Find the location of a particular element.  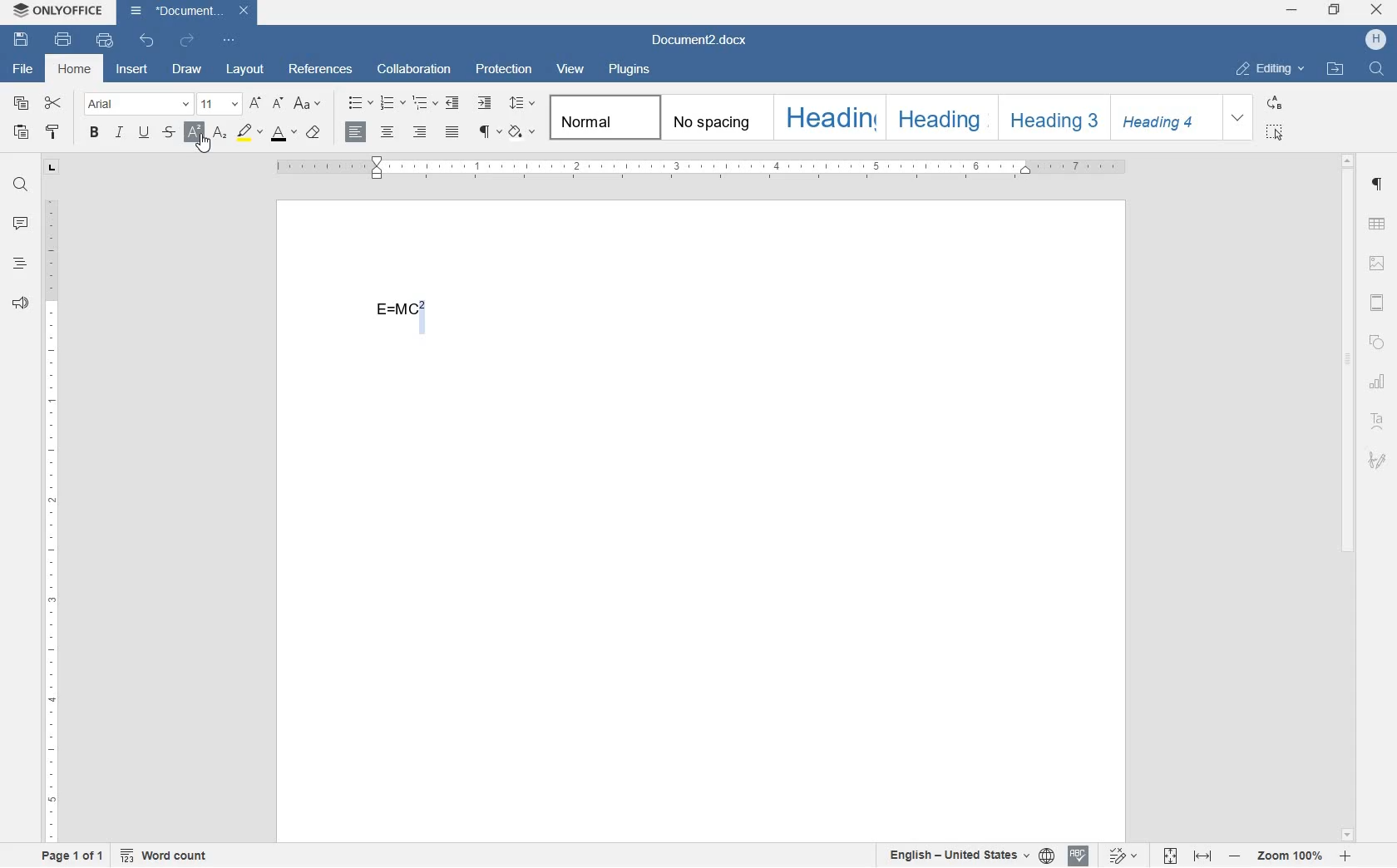

font name is located at coordinates (138, 105).